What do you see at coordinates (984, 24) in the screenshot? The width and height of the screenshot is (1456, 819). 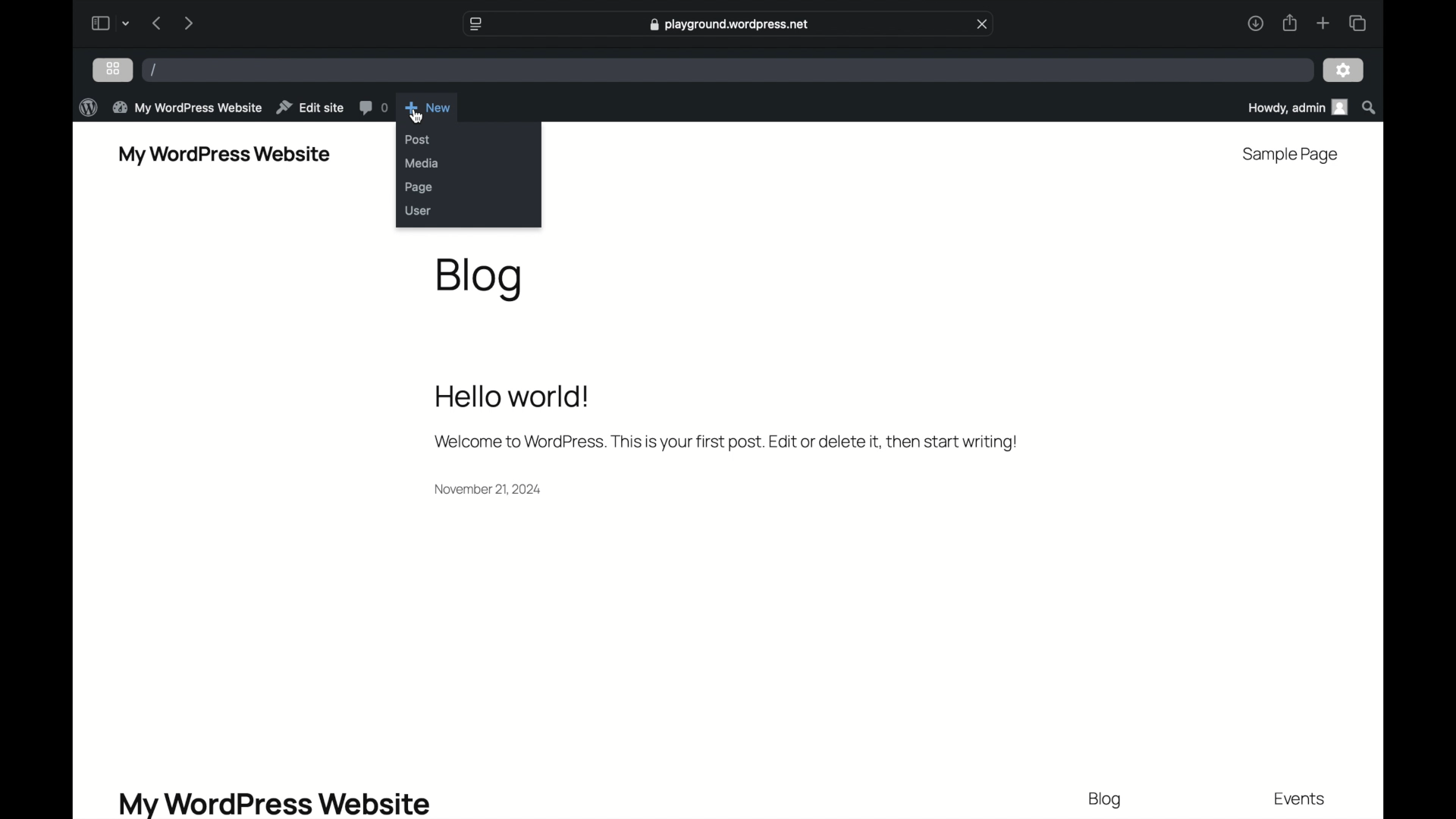 I see `close` at bounding box center [984, 24].